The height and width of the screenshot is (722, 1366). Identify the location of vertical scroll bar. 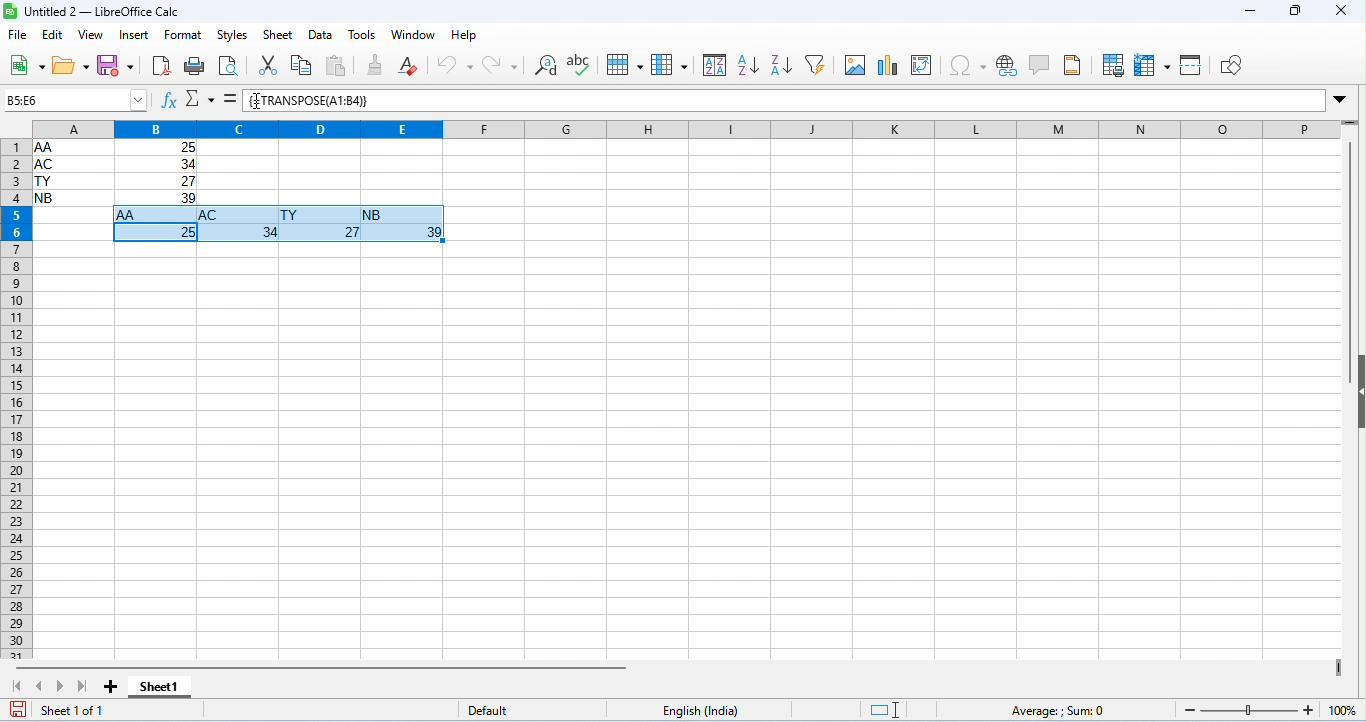
(1352, 240).